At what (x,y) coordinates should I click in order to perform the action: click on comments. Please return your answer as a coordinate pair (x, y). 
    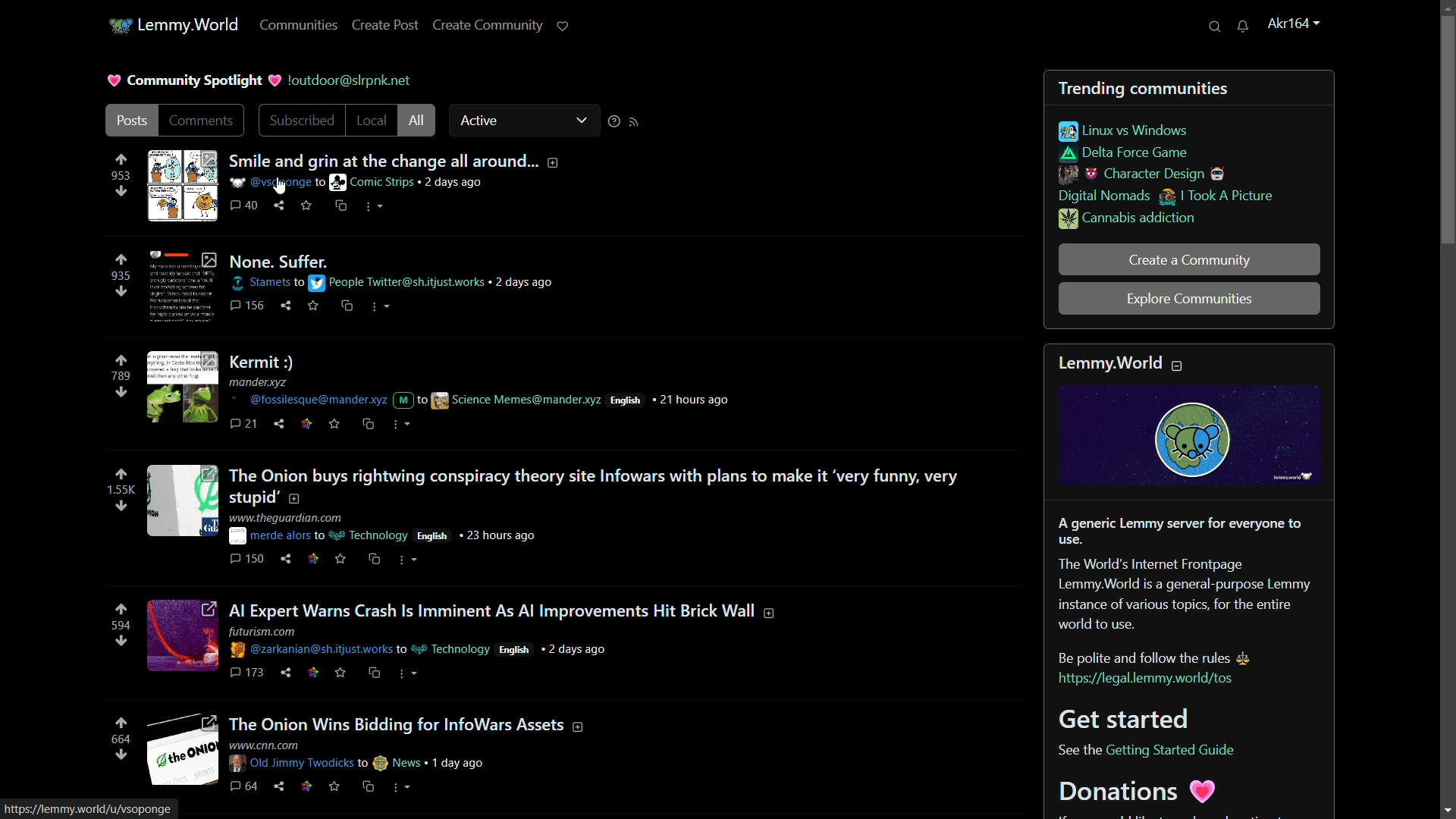
    Looking at the image, I should click on (247, 673).